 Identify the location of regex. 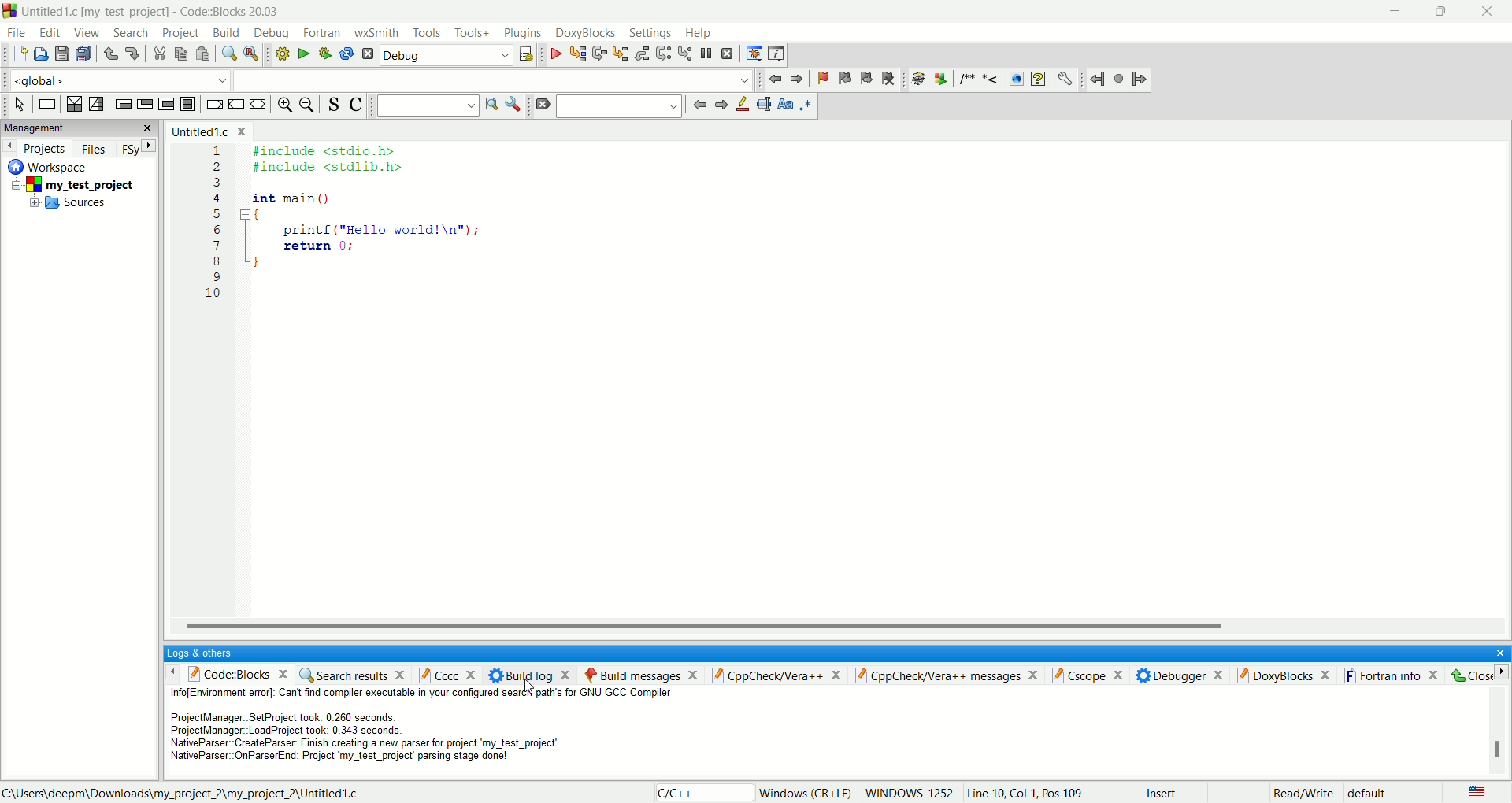
(807, 104).